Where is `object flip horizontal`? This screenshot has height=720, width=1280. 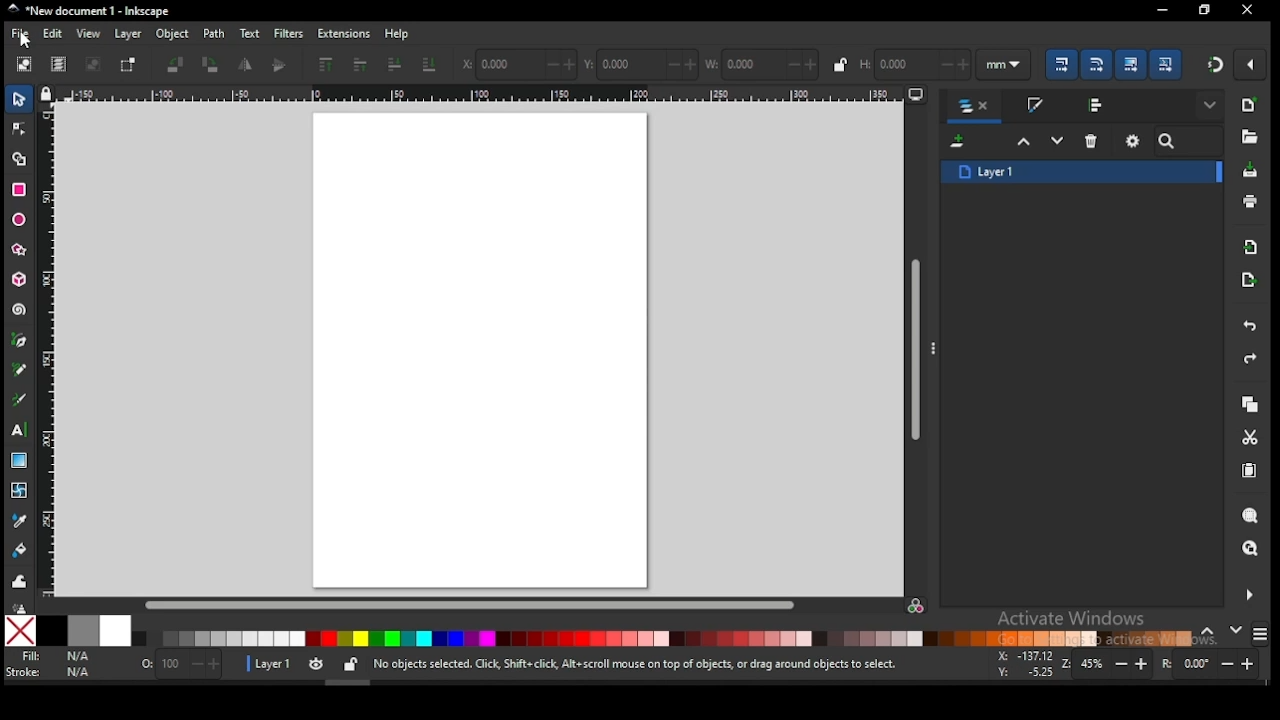
object flip horizontal is located at coordinates (246, 65).